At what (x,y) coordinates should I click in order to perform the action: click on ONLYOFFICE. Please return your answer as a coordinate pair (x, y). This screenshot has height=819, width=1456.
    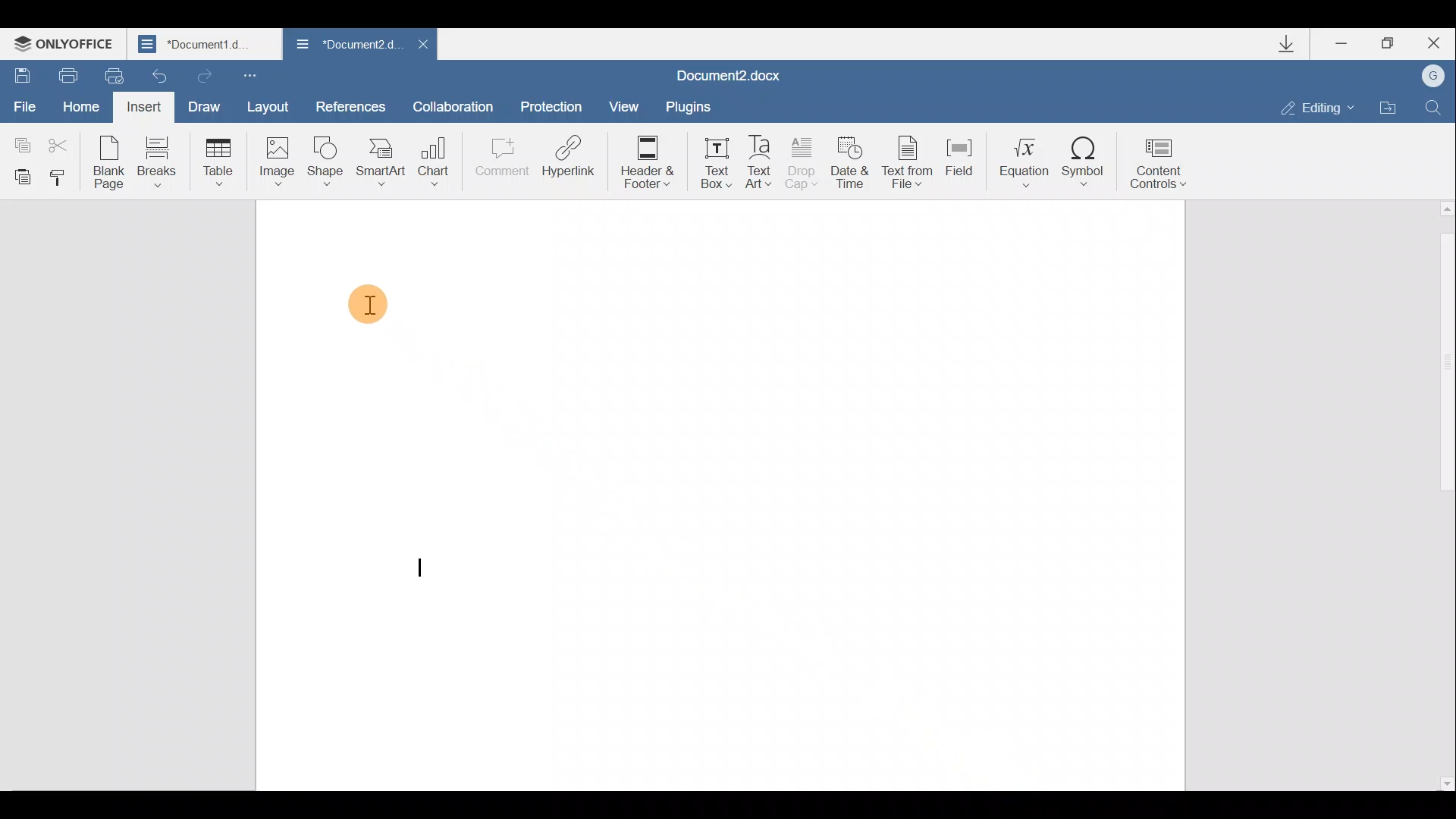
    Looking at the image, I should click on (67, 45).